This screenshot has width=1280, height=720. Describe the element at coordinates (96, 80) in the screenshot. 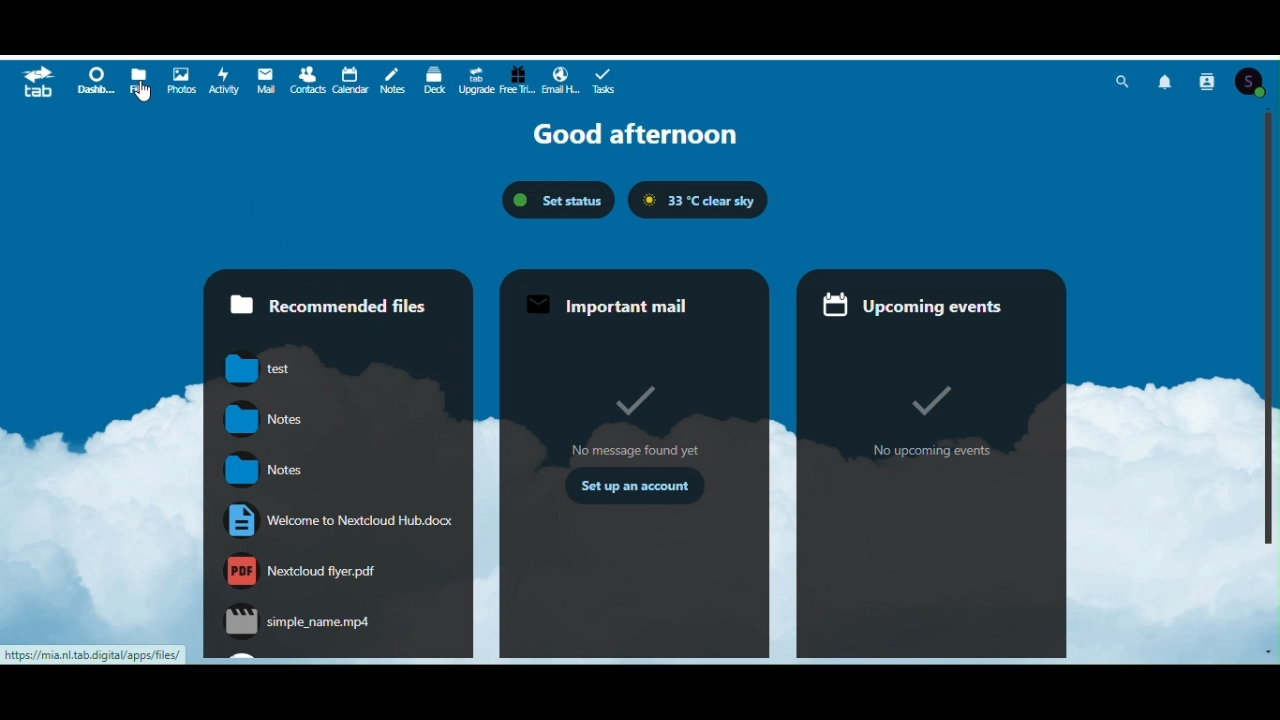

I see `Dashboard` at that location.